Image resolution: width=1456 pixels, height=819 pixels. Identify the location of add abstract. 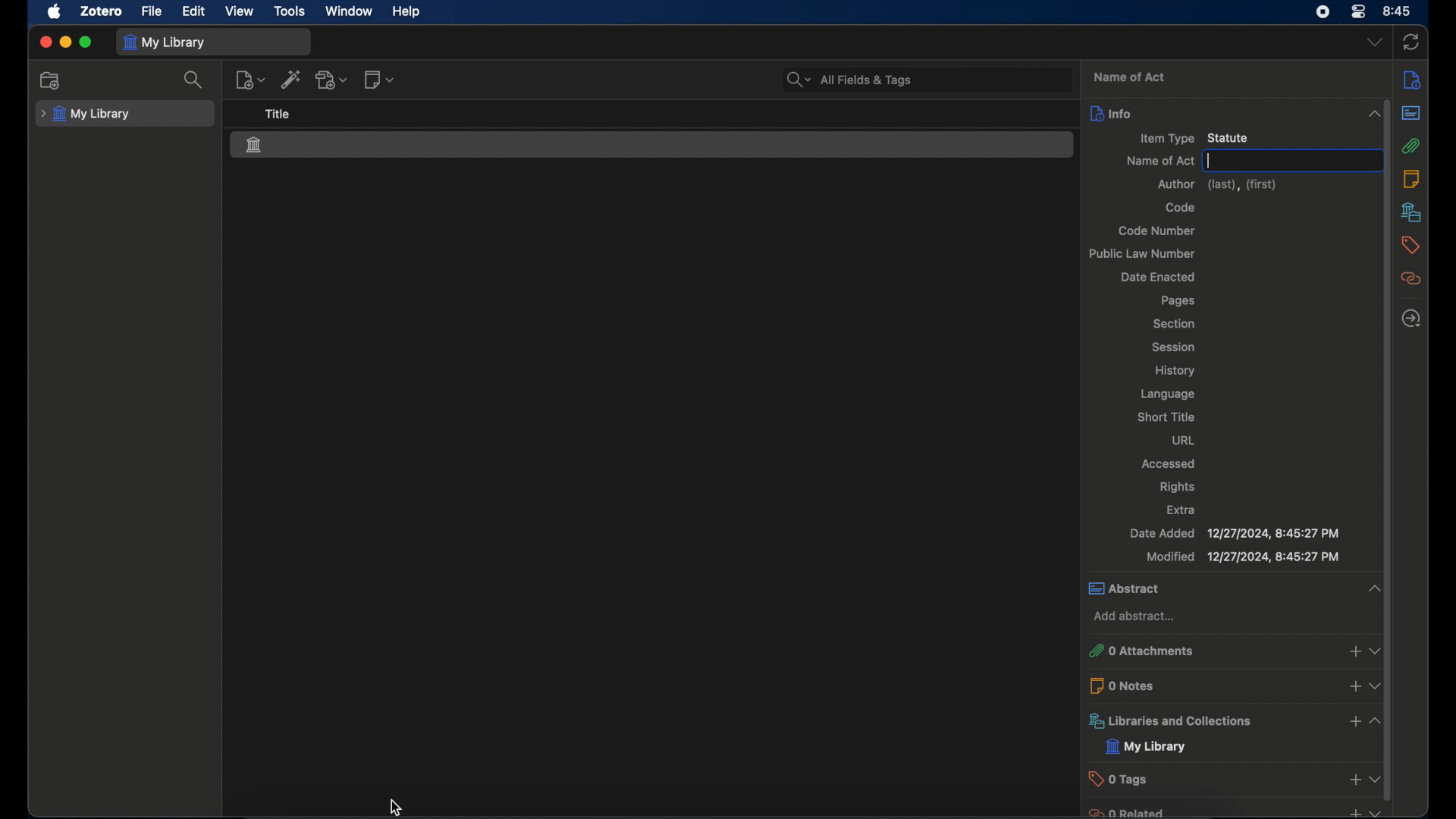
(1137, 617).